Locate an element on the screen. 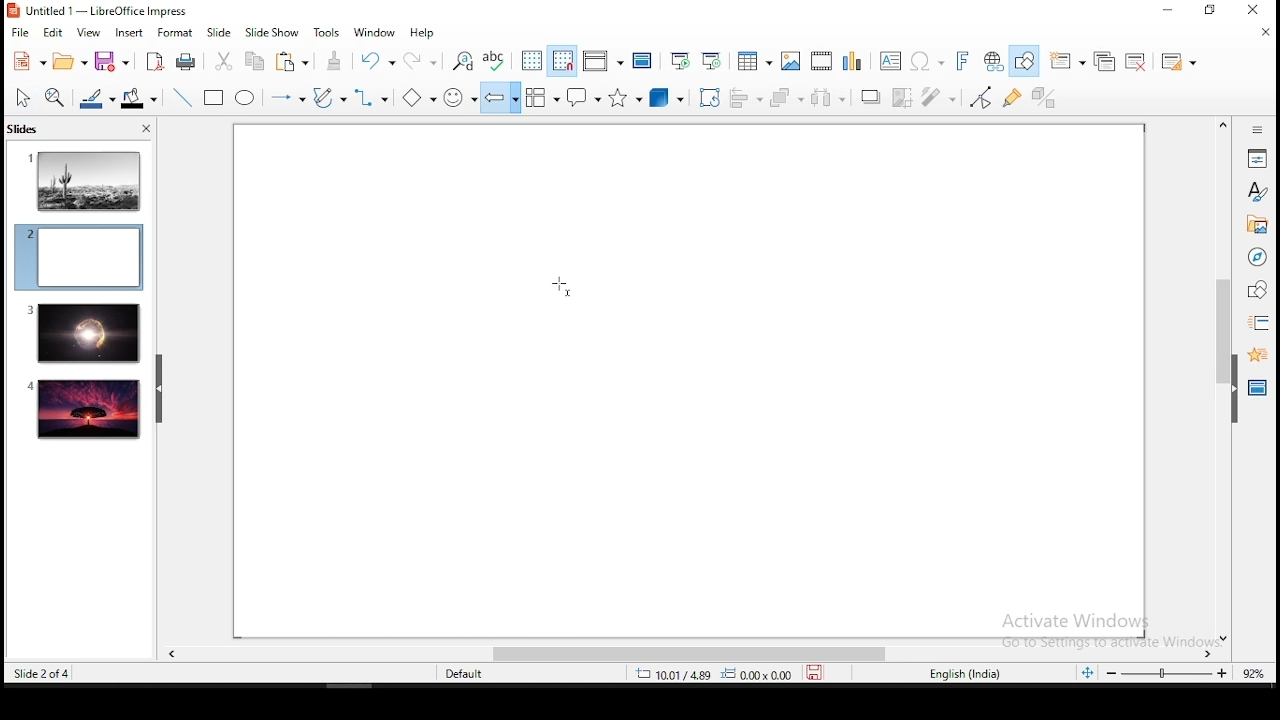 This screenshot has height=720, width=1280. basic shapes is located at coordinates (415, 98).